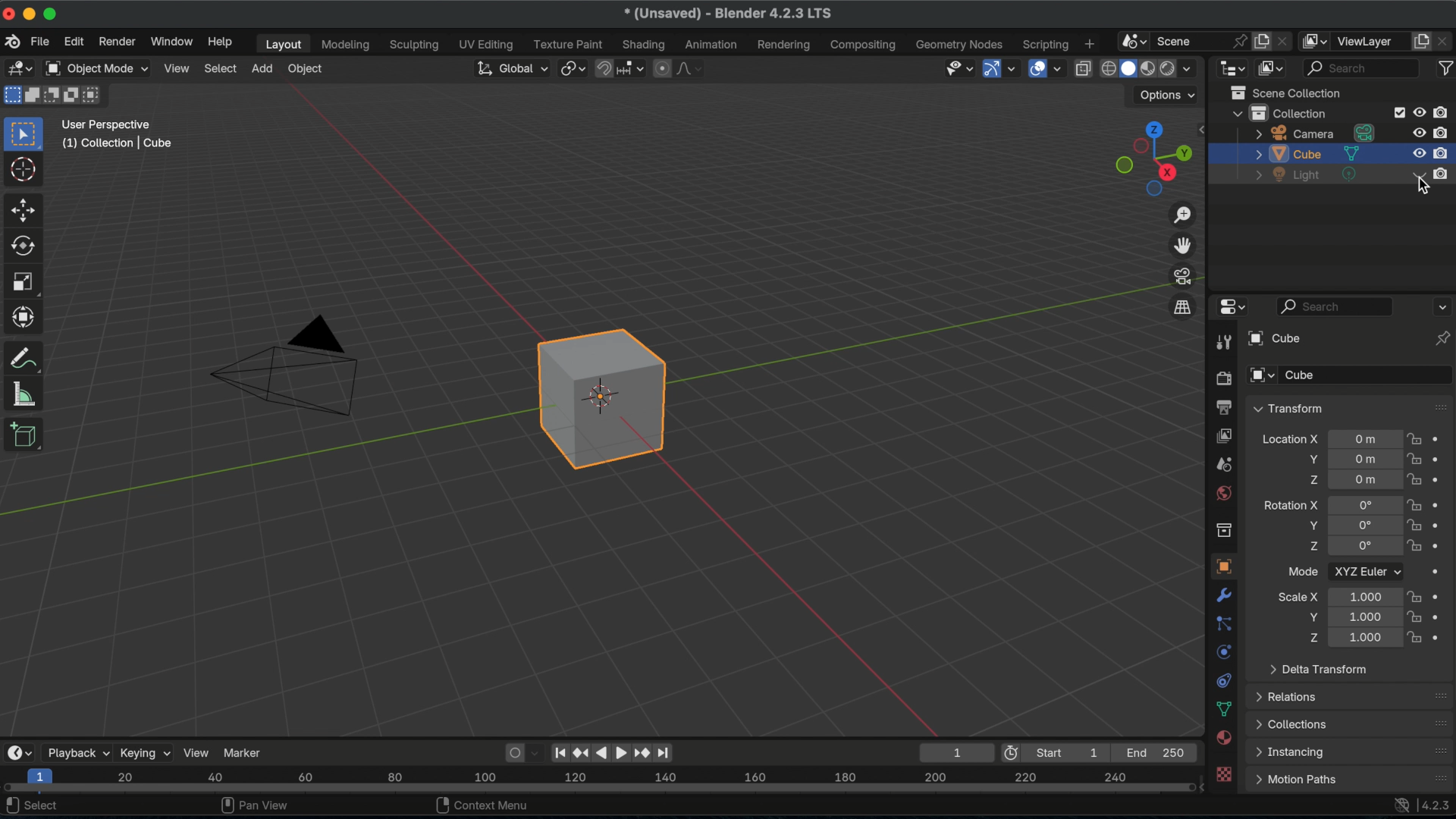  What do you see at coordinates (1291, 697) in the screenshot?
I see `relations` at bounding box center [1291, 697].